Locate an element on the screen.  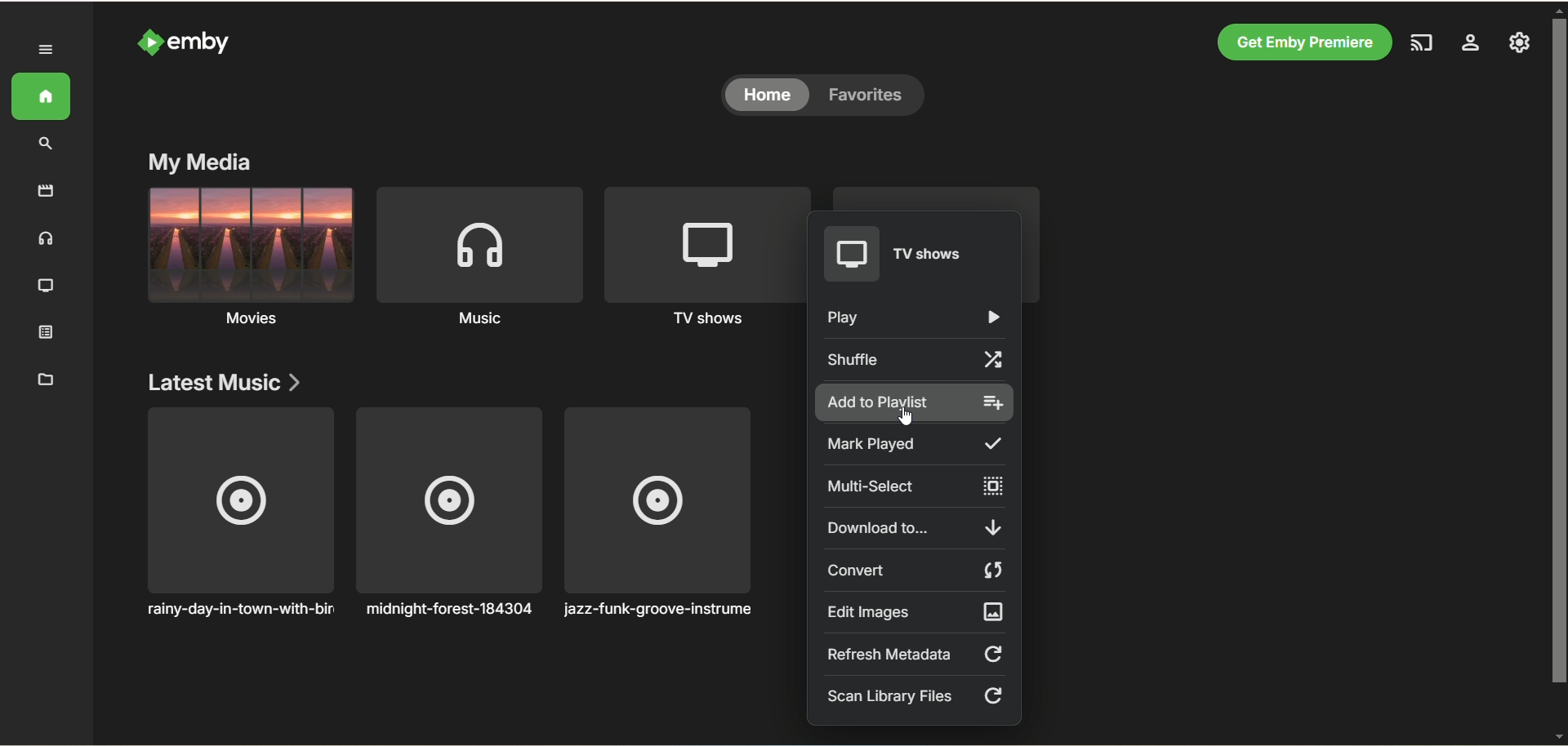
Cursor is located at coordinates (905, 415).